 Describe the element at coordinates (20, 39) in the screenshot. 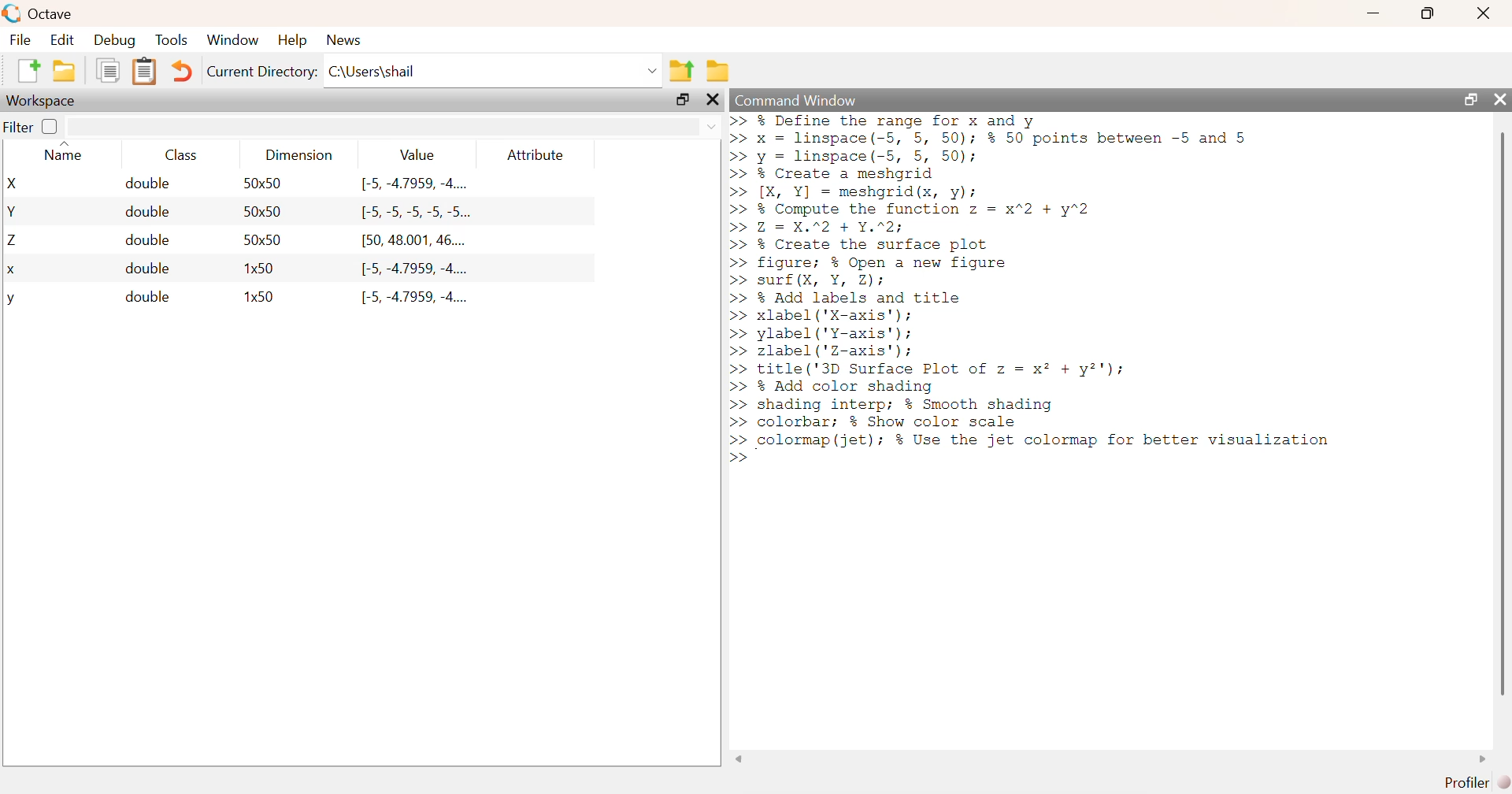

I see `File` at that location.